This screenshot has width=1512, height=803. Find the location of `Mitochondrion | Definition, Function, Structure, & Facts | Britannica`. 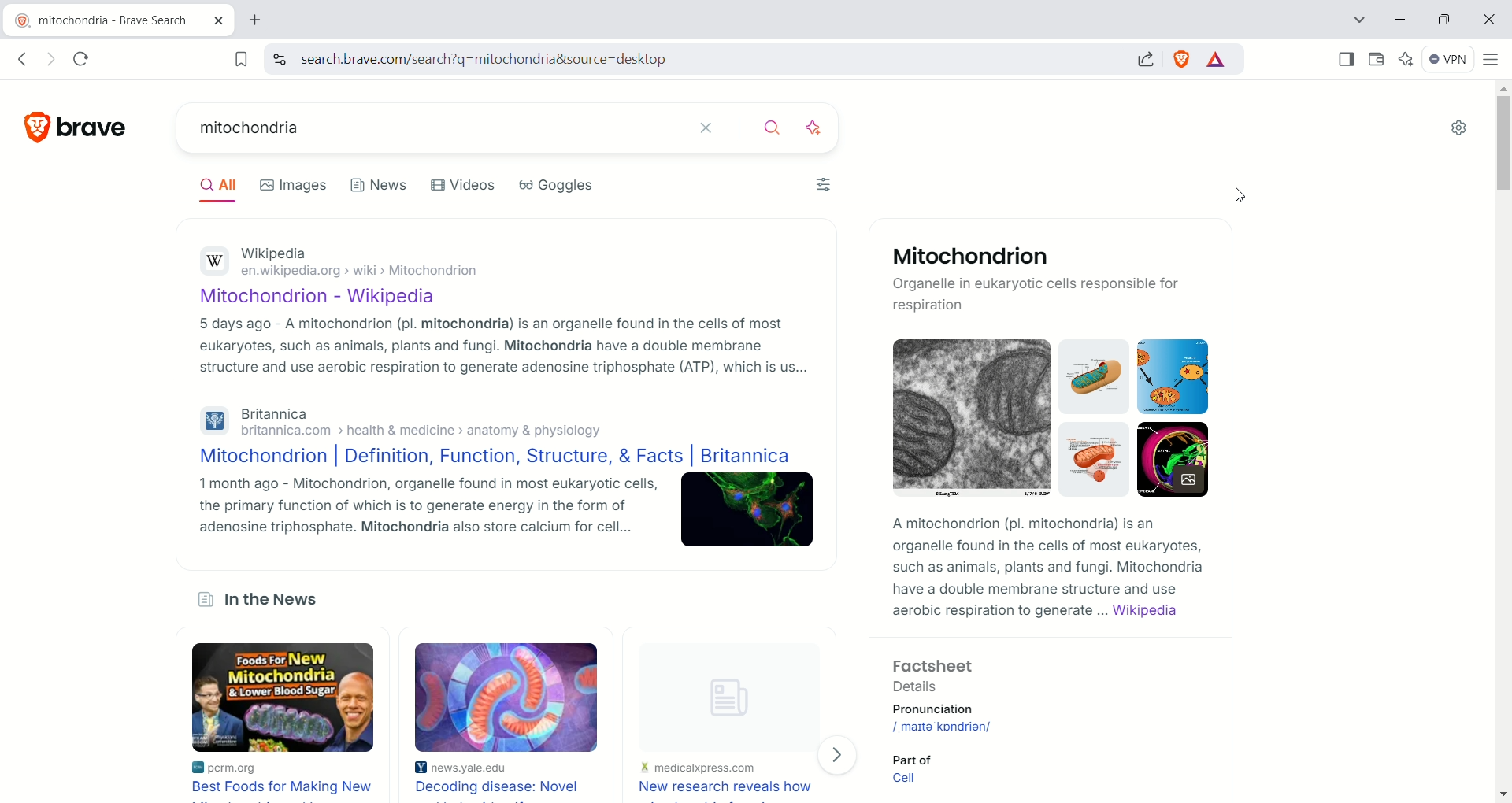

Mitochondrion | Definition, Function, Structure, & Facts | Britannica is located at coordinates (495, 455).